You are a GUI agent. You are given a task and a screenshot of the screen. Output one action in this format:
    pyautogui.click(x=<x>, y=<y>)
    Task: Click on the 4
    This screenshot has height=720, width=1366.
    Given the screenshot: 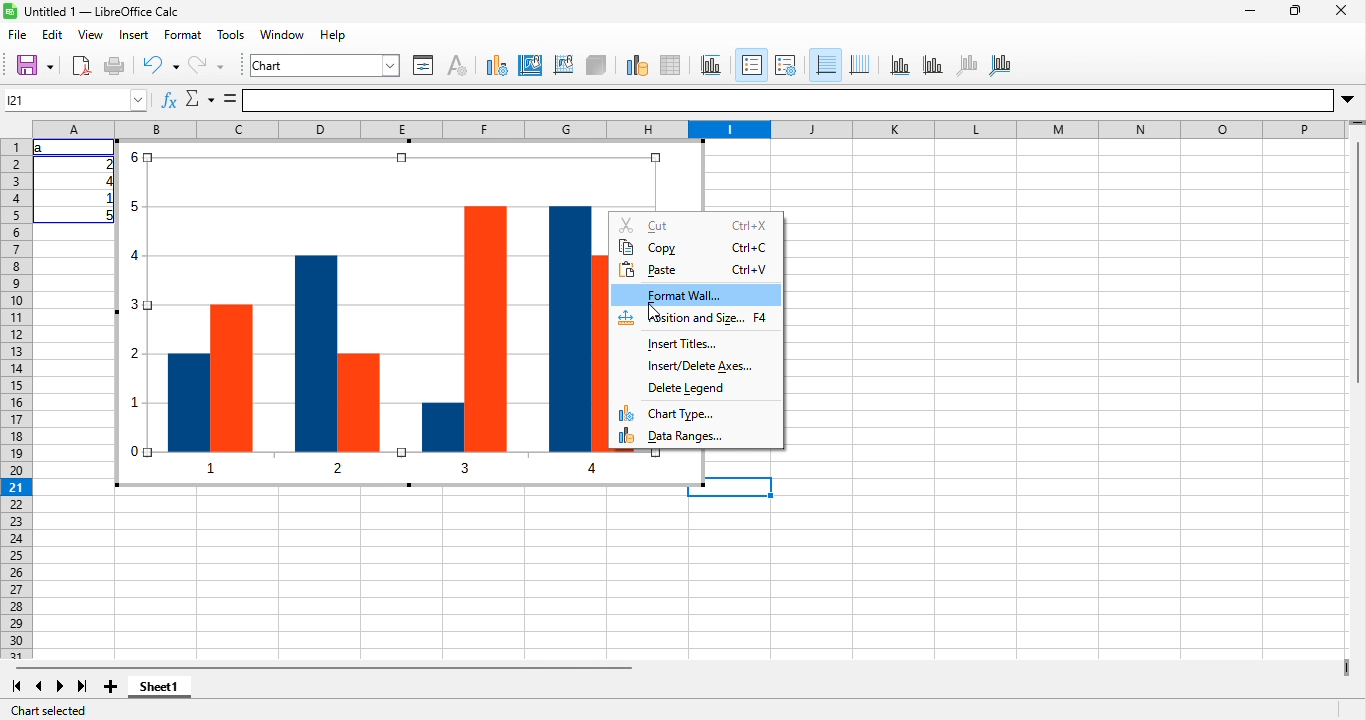 What is the action you would take?
    pyautogui.click(x=106, y=181)
    